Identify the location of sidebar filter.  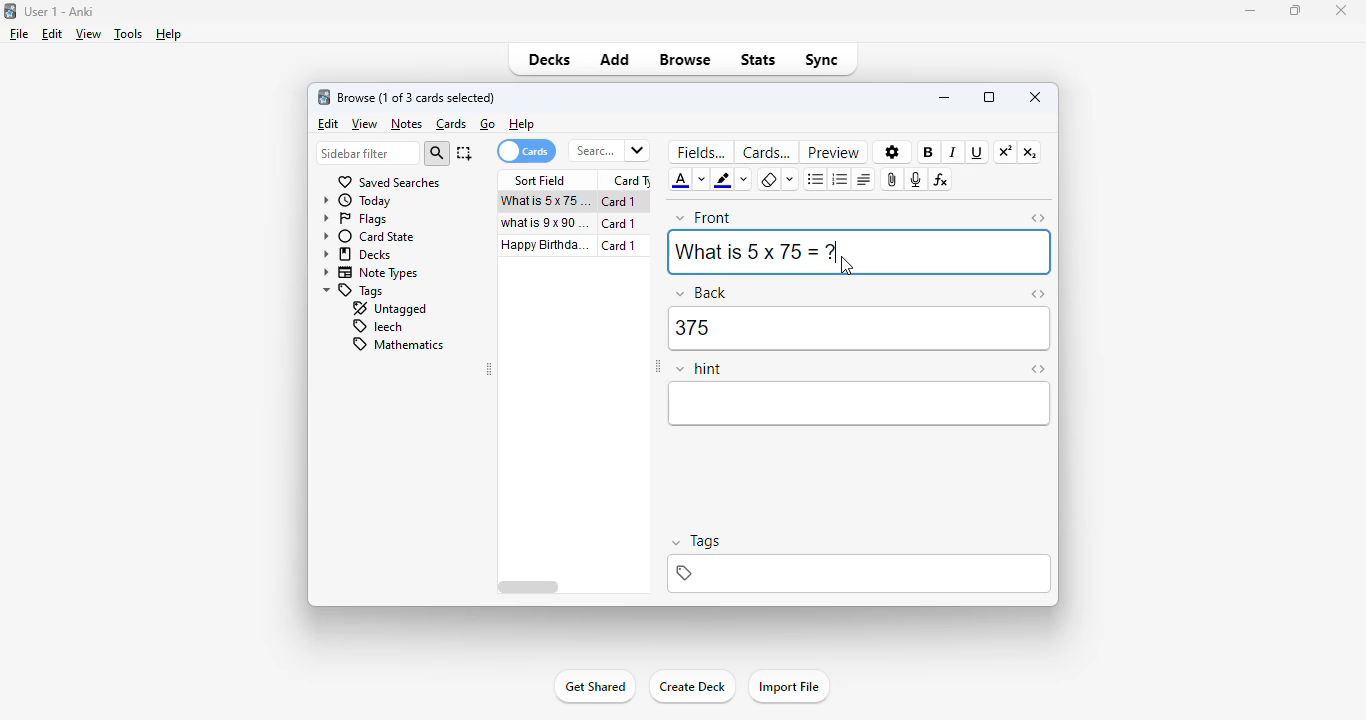
(366, 153).